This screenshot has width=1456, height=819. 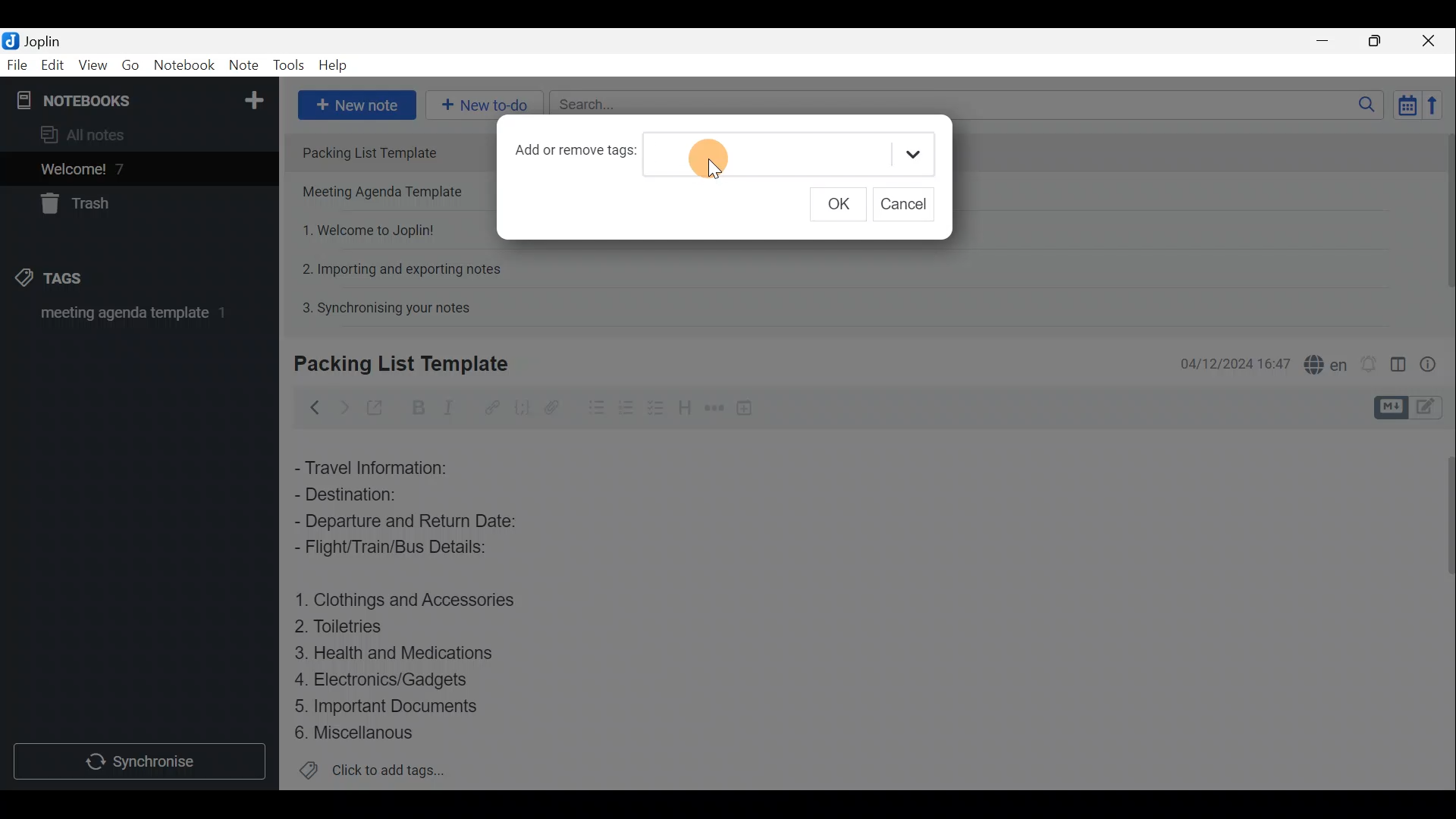 What do you see at coordinates (1368, 360) in the screenshot?
I see `Set alarm` at bounding box center [1368, 360].